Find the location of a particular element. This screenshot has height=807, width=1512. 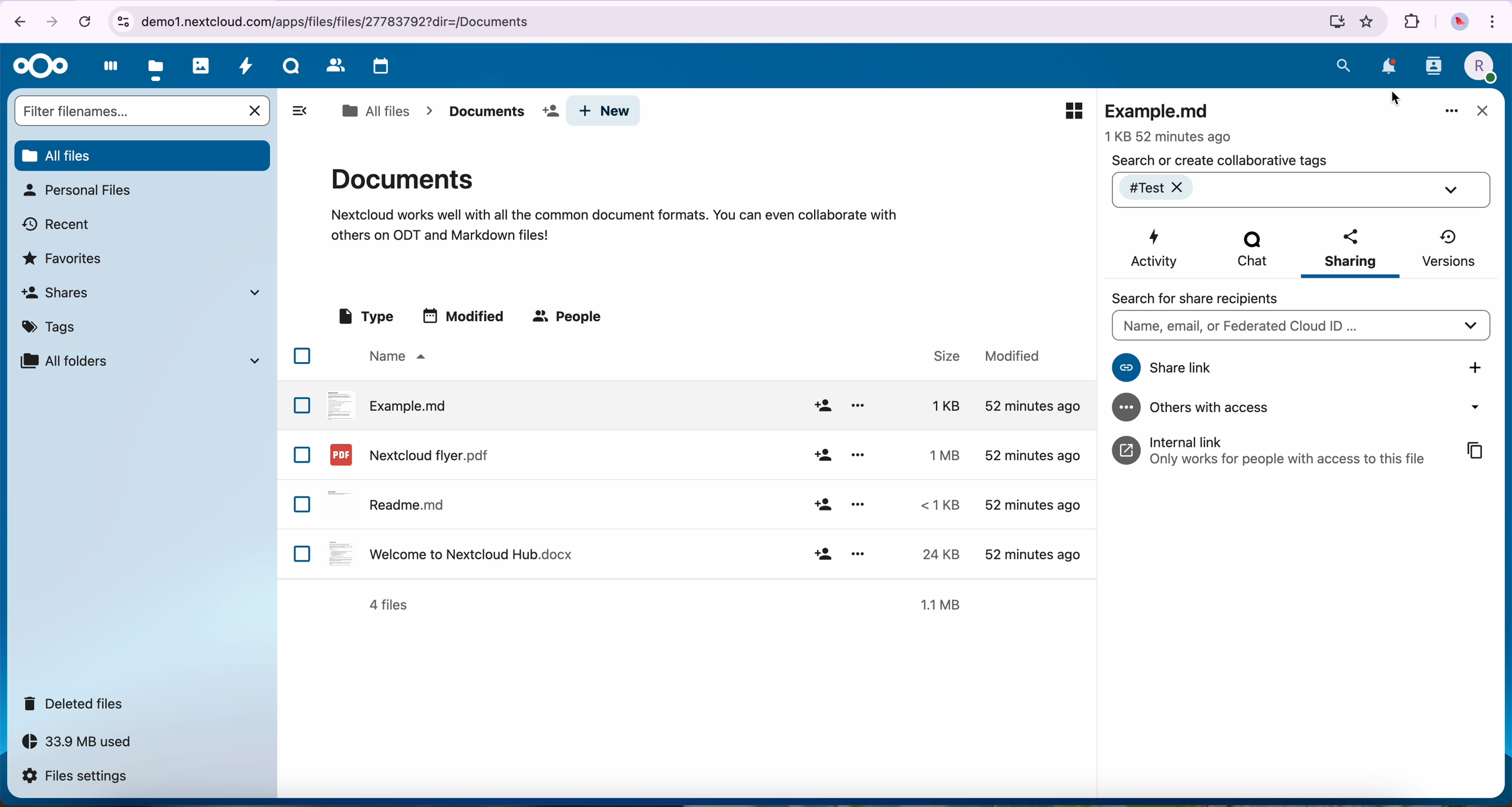

options is located at coordinates (858, 406).